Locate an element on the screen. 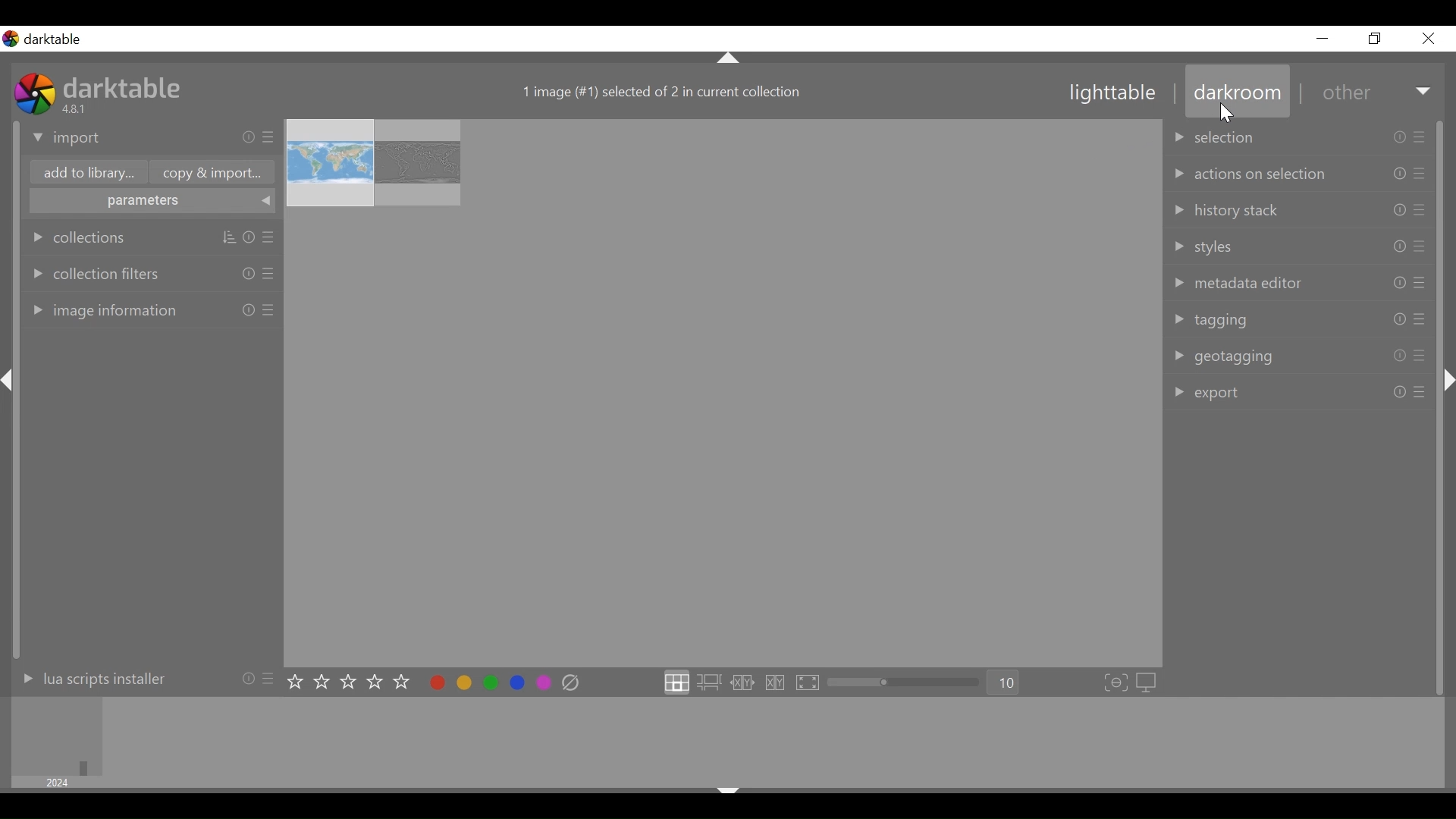  Zoom Slider is located at coordinates (906, 683).